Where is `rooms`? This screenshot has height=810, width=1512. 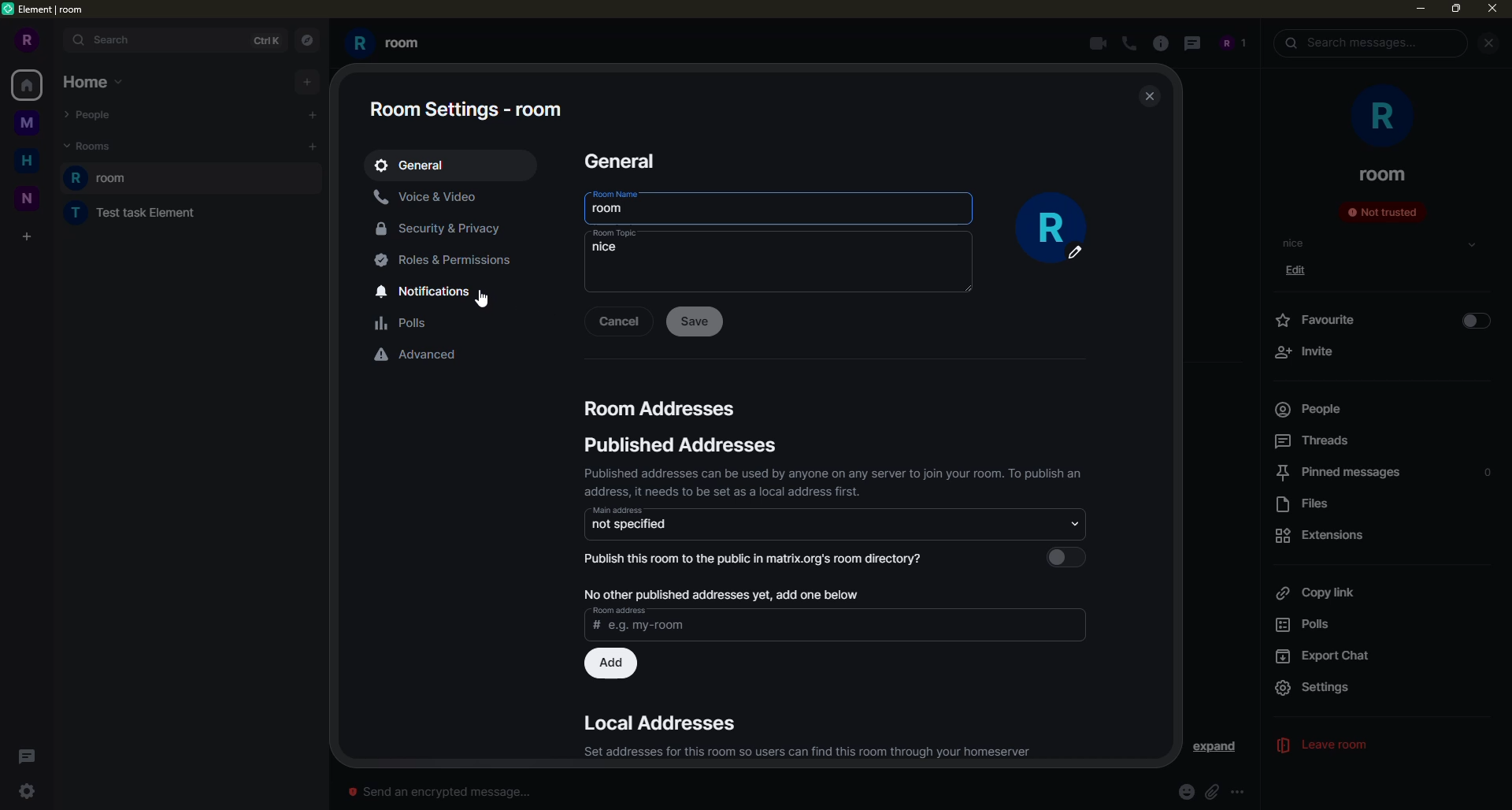
rooms is located at coordinates (89, 146).